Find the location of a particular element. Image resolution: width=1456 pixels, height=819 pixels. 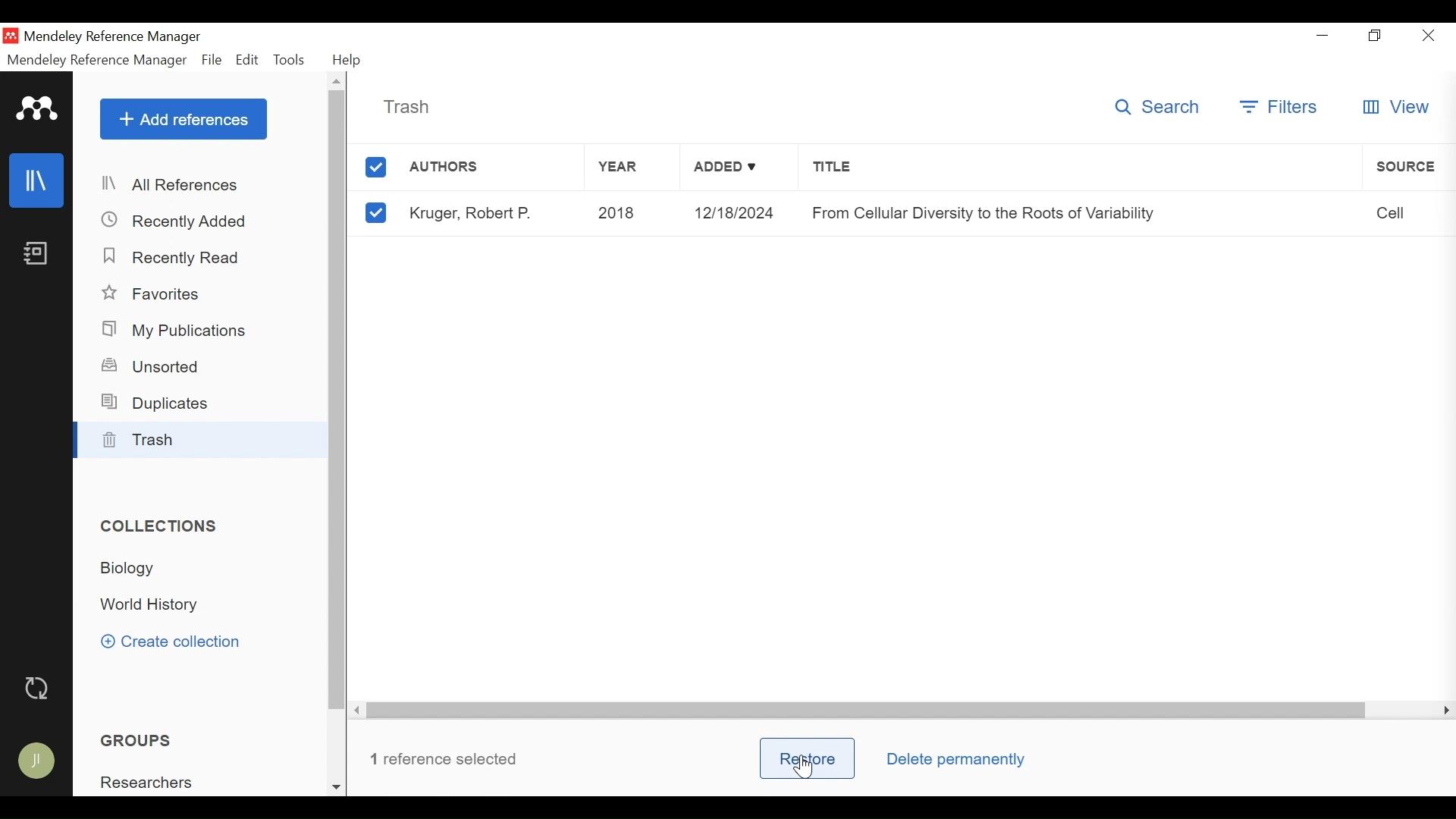

Duplicates is located at coordinates (161, 403).